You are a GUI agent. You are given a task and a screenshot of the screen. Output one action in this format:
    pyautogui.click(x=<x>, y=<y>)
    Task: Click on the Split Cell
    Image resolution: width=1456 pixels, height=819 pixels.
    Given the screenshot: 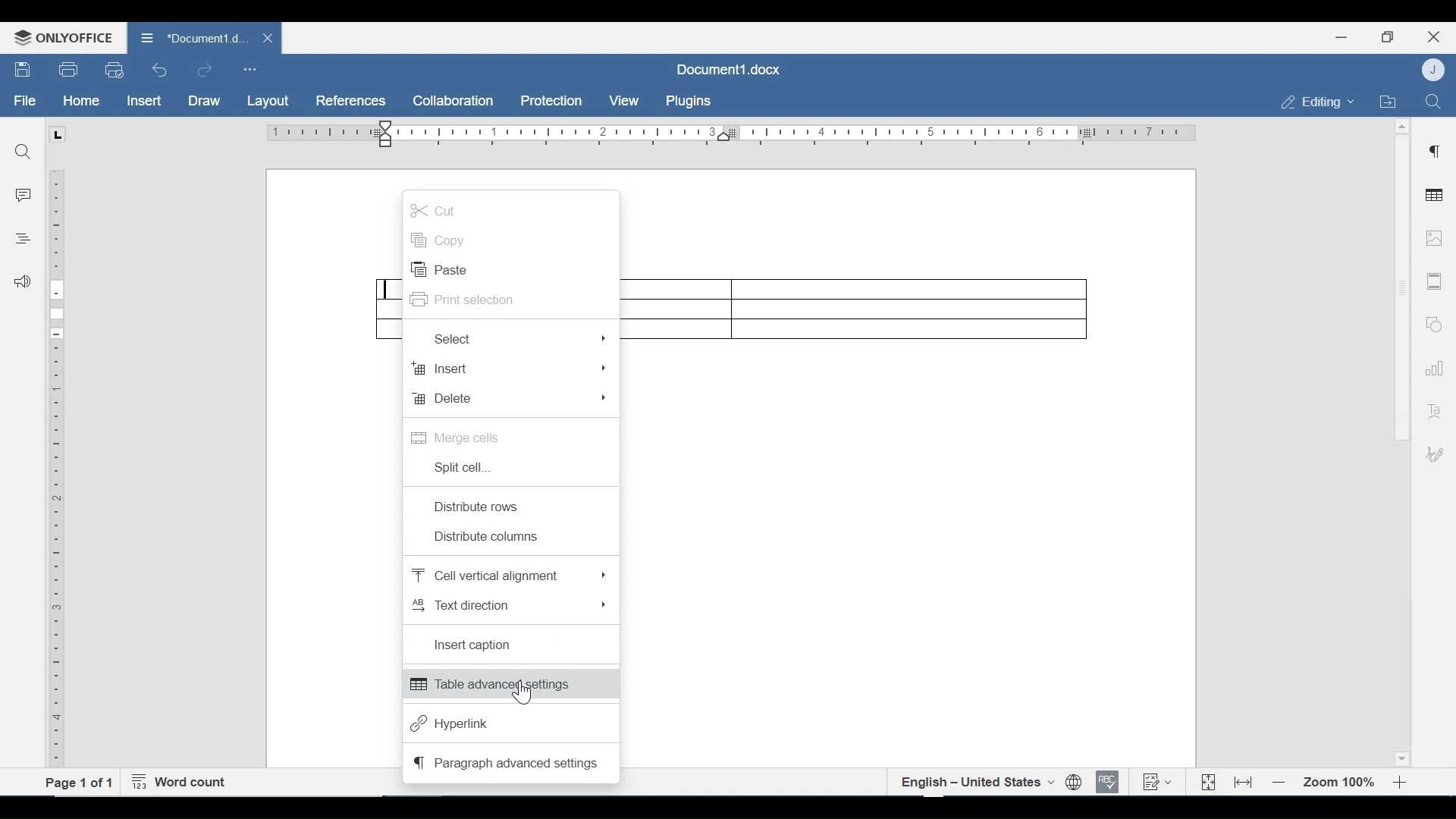 What is the action you would take?
    pyautogui.click(x=461, y=468)
    